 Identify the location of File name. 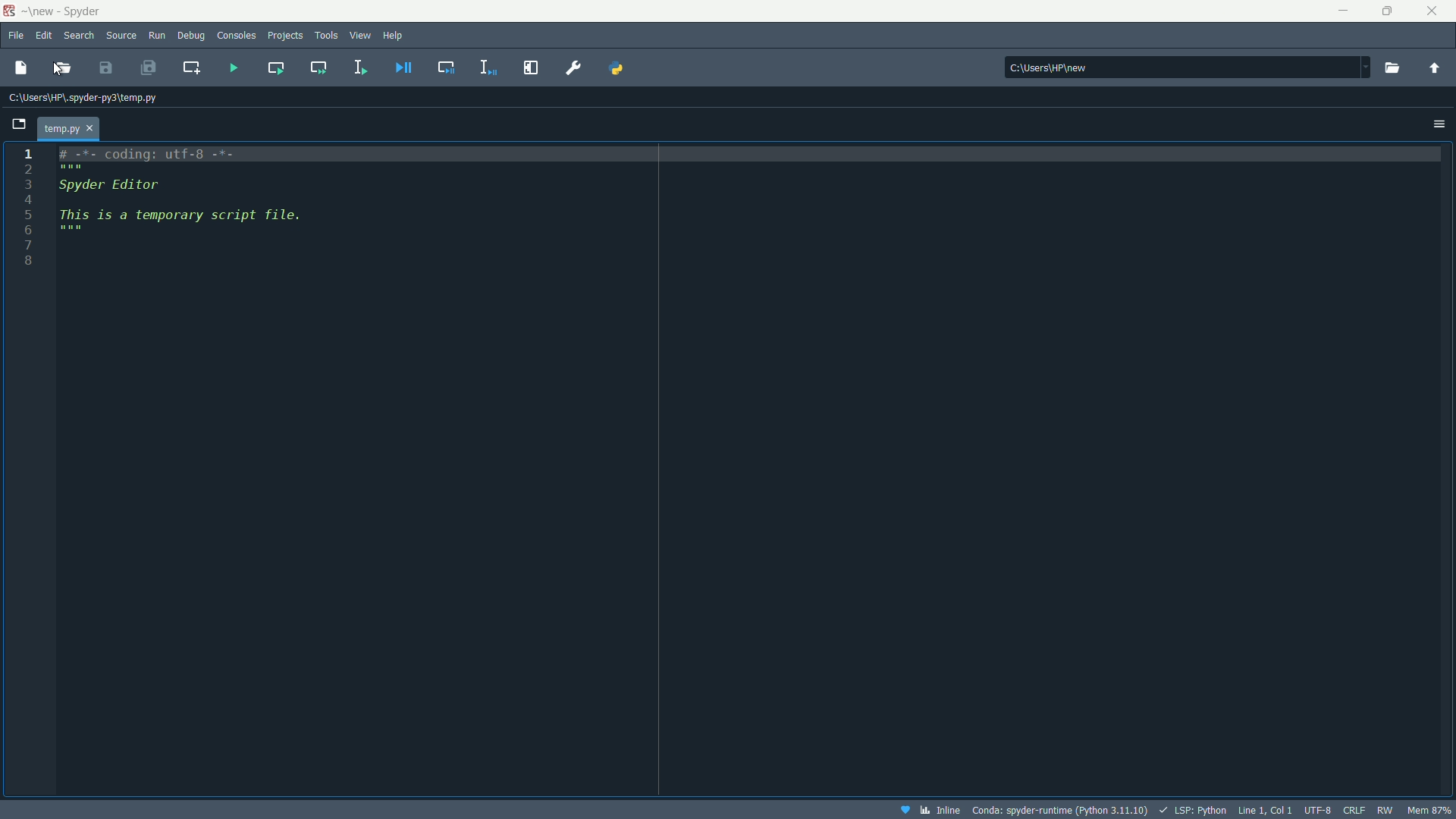
(71, 130).